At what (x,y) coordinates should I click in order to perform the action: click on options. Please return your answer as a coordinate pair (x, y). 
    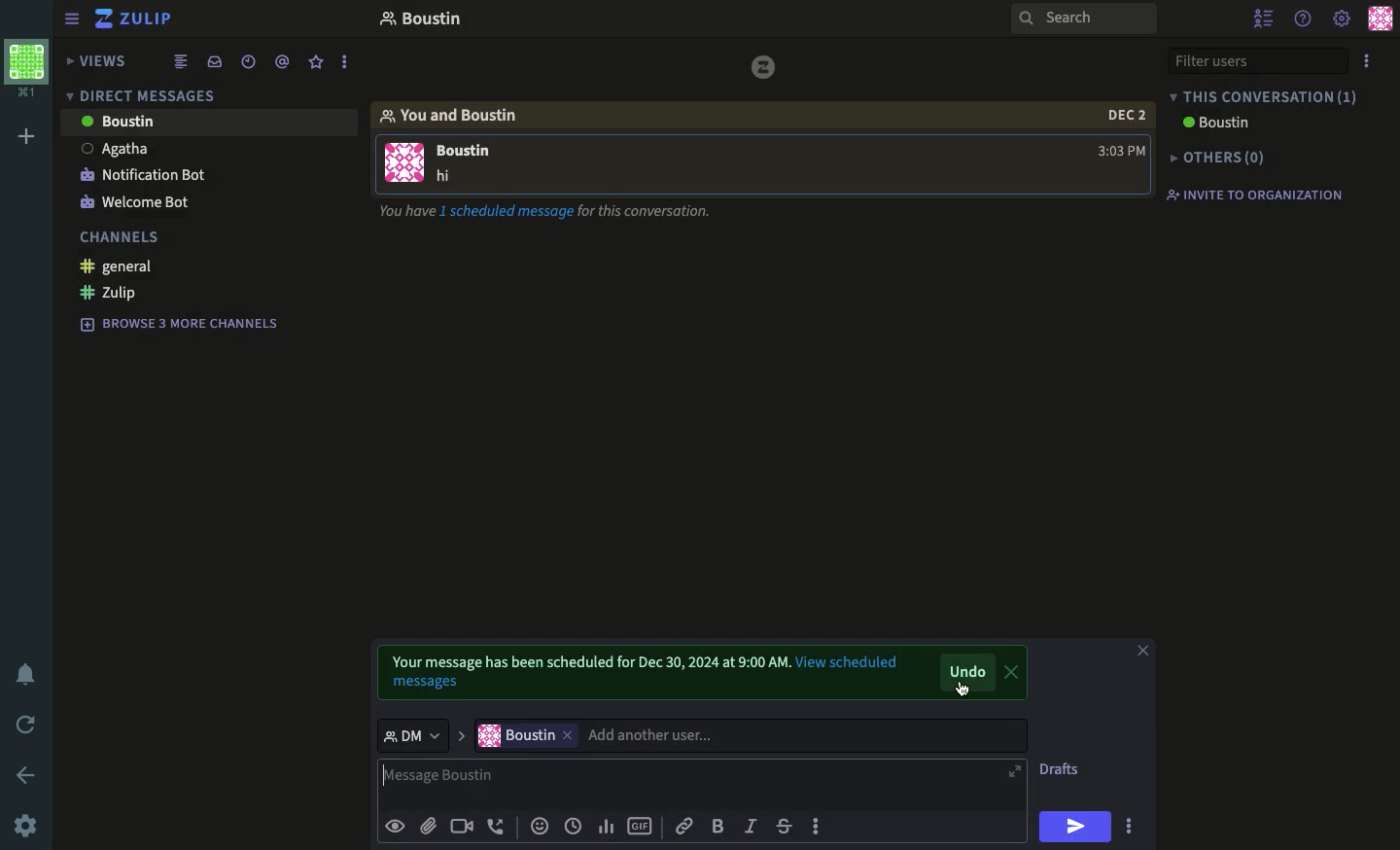
    Looking at the image, I should click on (821, 829).